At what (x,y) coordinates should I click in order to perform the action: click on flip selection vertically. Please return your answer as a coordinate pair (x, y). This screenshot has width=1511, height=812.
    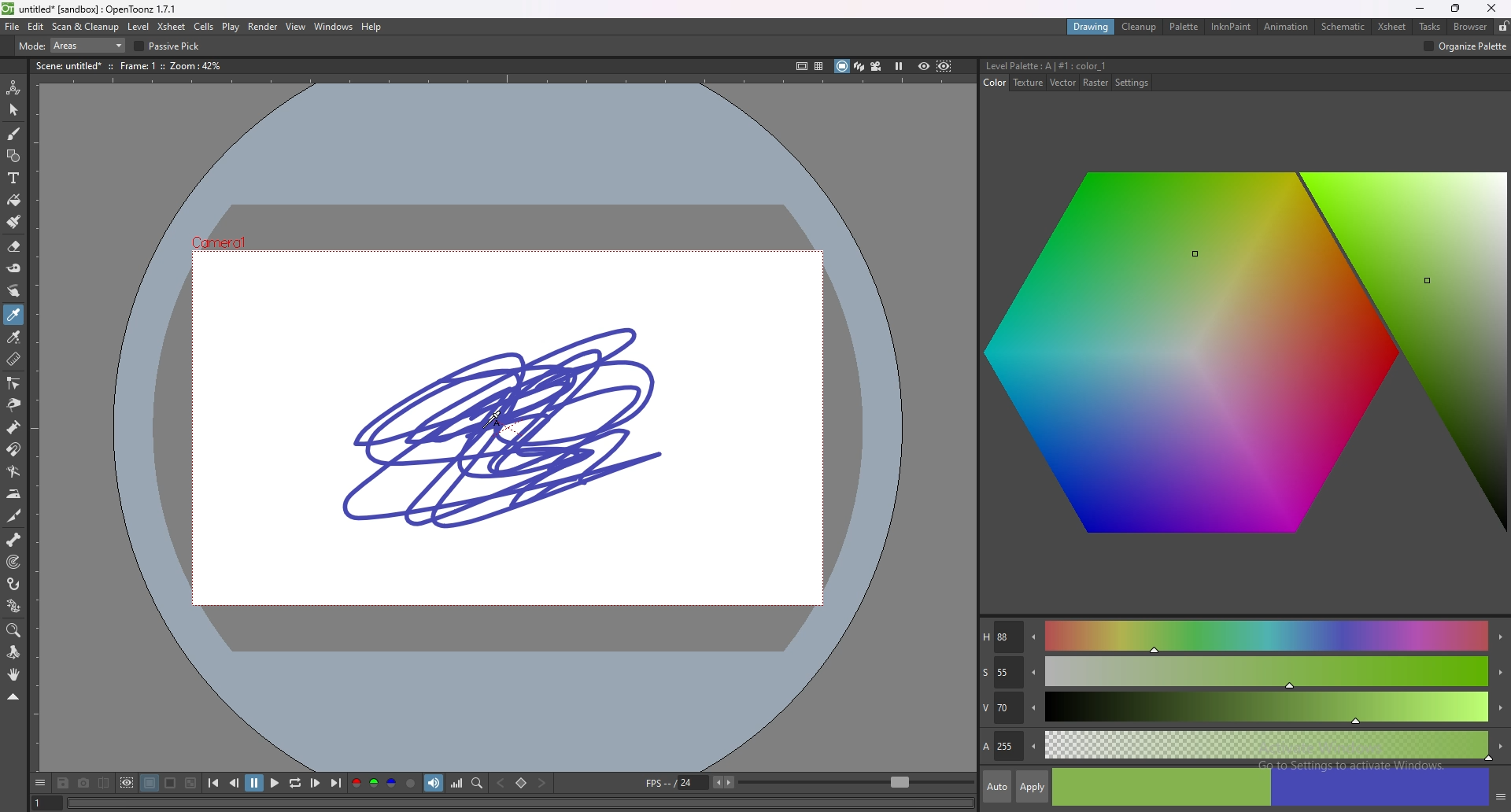
    Looking at the image, I should click on (709, 45).